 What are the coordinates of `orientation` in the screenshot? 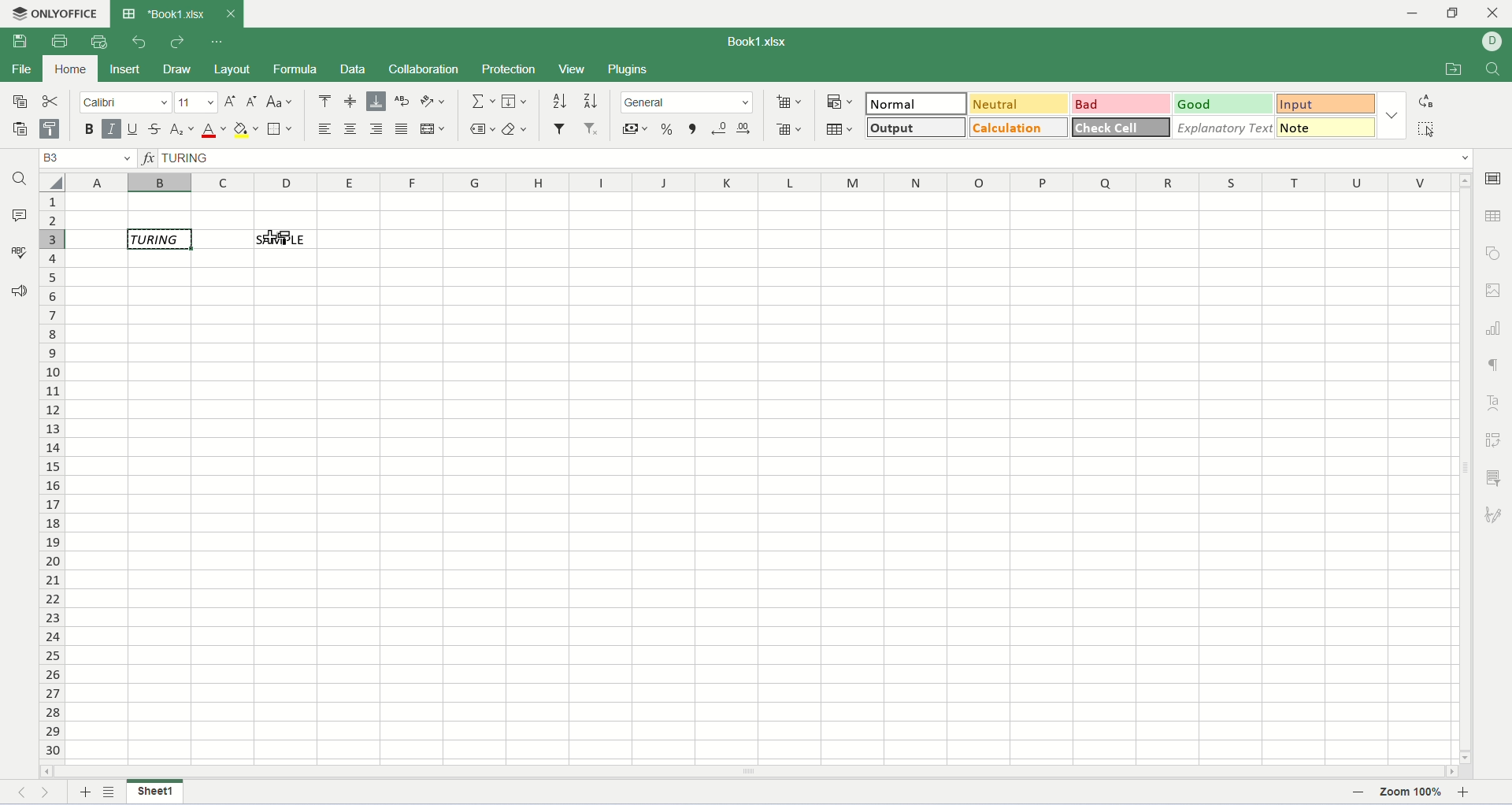 It's located at (433, 102).